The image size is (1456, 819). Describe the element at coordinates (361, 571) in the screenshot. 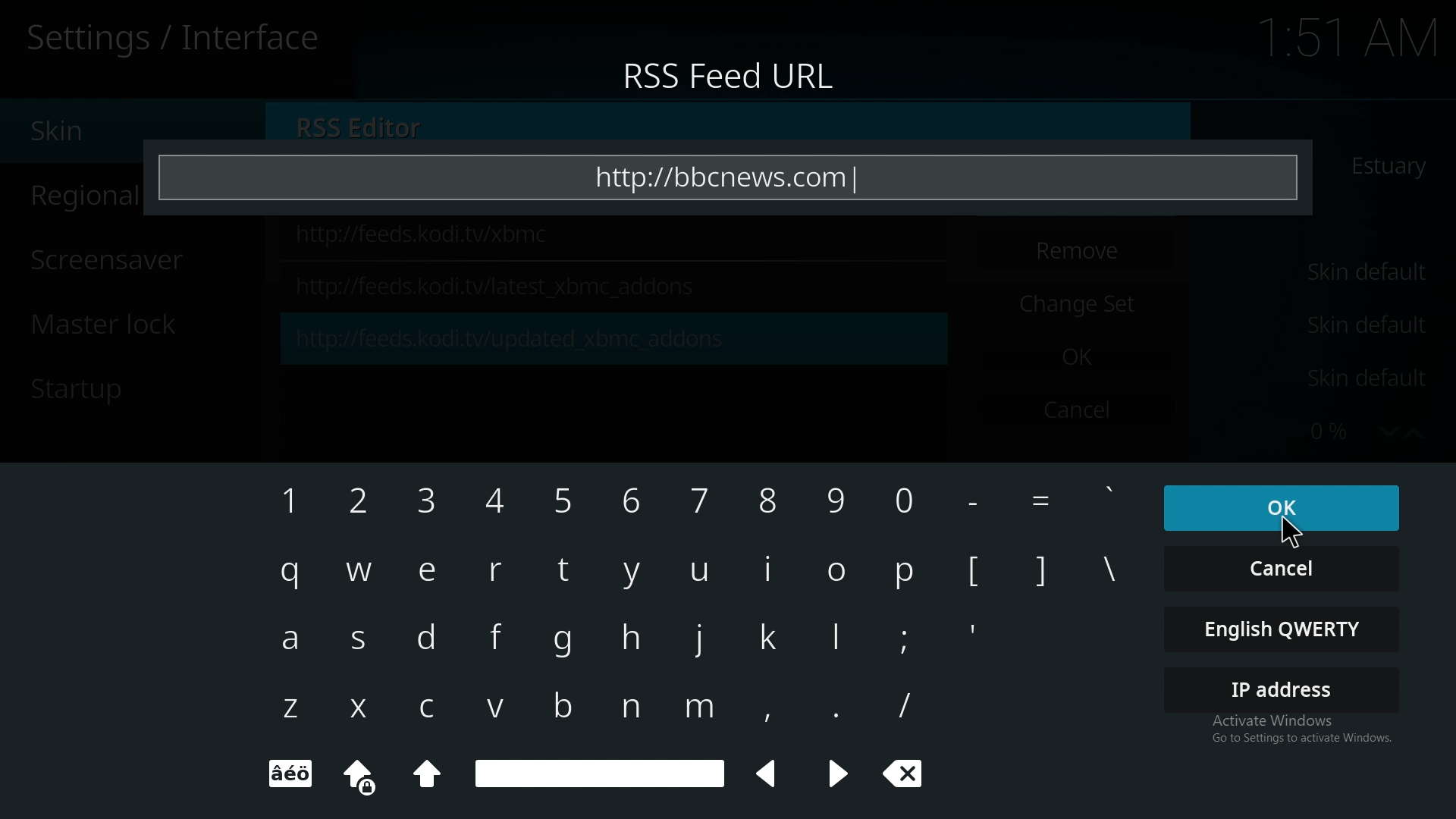

I see `w` at that location.